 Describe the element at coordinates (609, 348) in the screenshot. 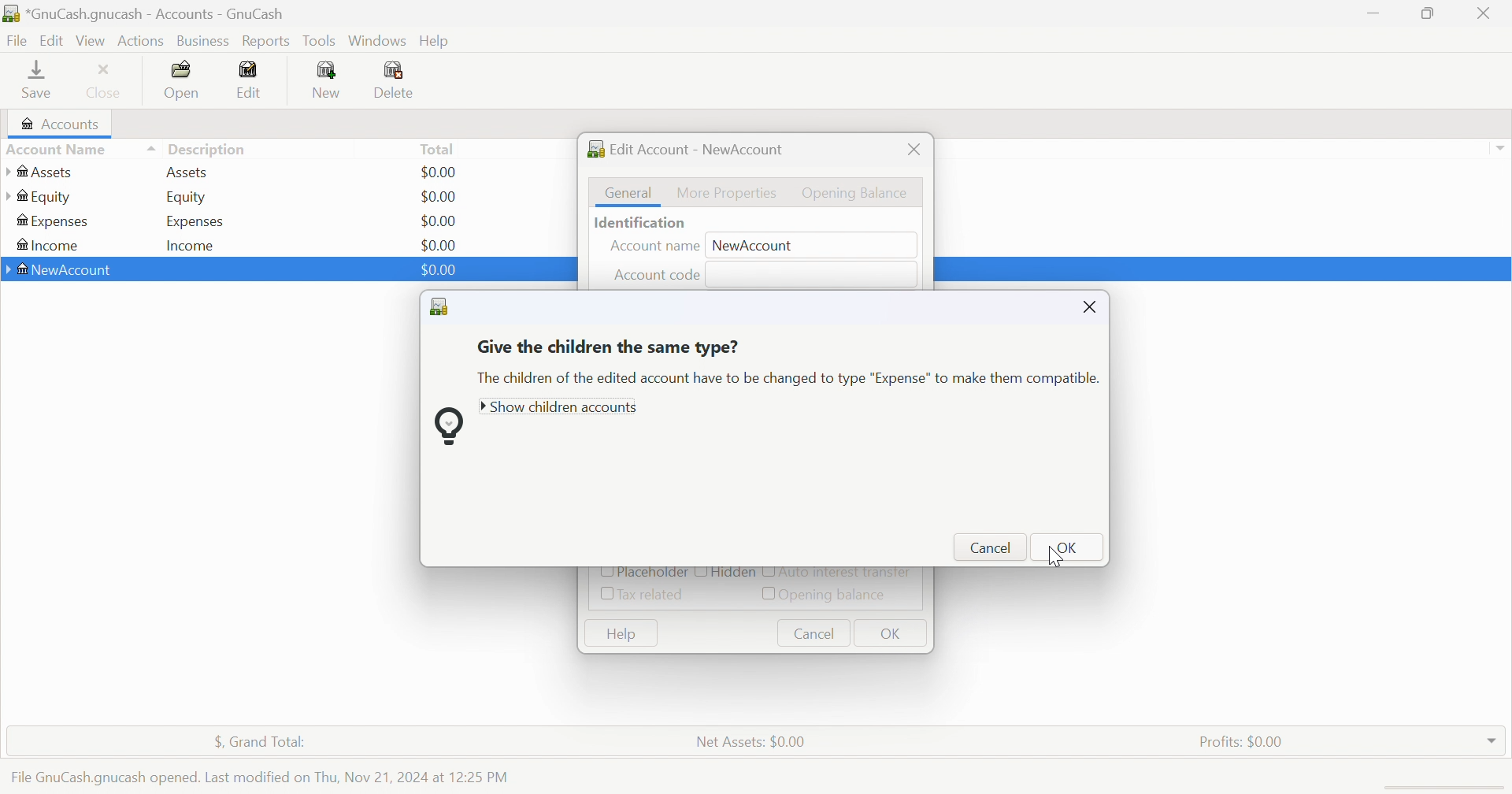

I see `Give the children the same type?` at that location.